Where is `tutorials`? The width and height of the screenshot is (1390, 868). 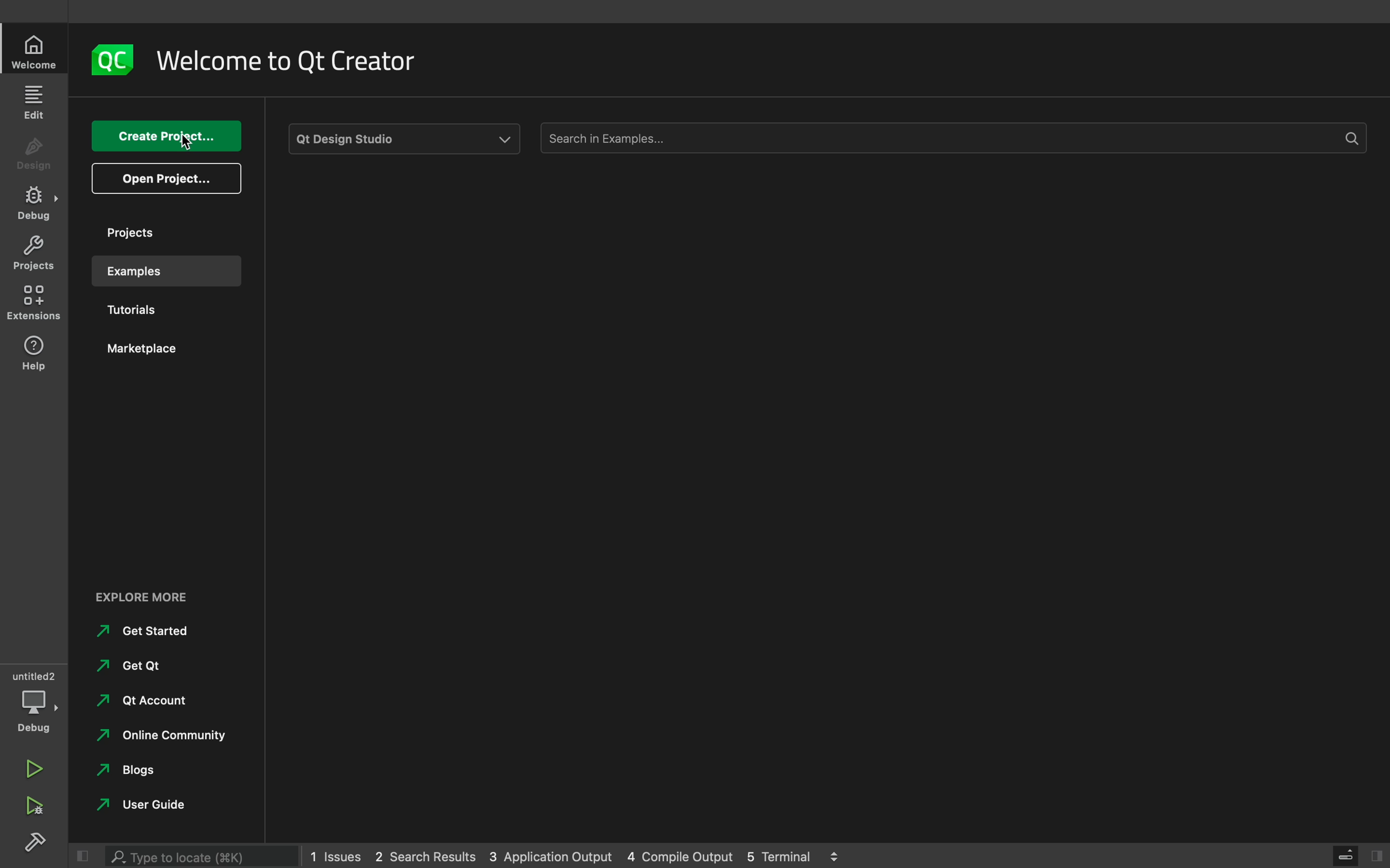 tutorials is located at coordinates (155, 312).